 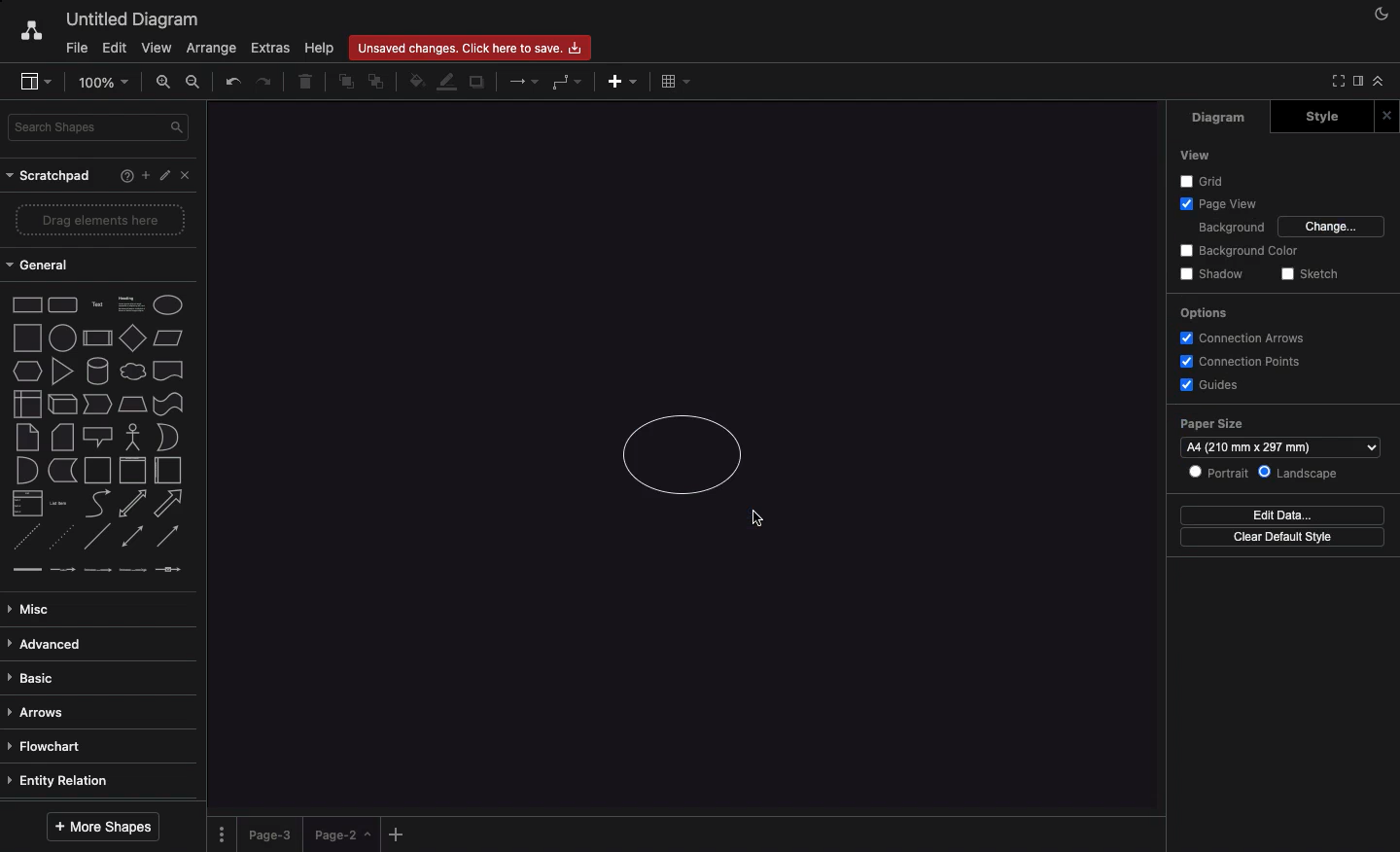 I want to click on list, so click(x=28, y=503).